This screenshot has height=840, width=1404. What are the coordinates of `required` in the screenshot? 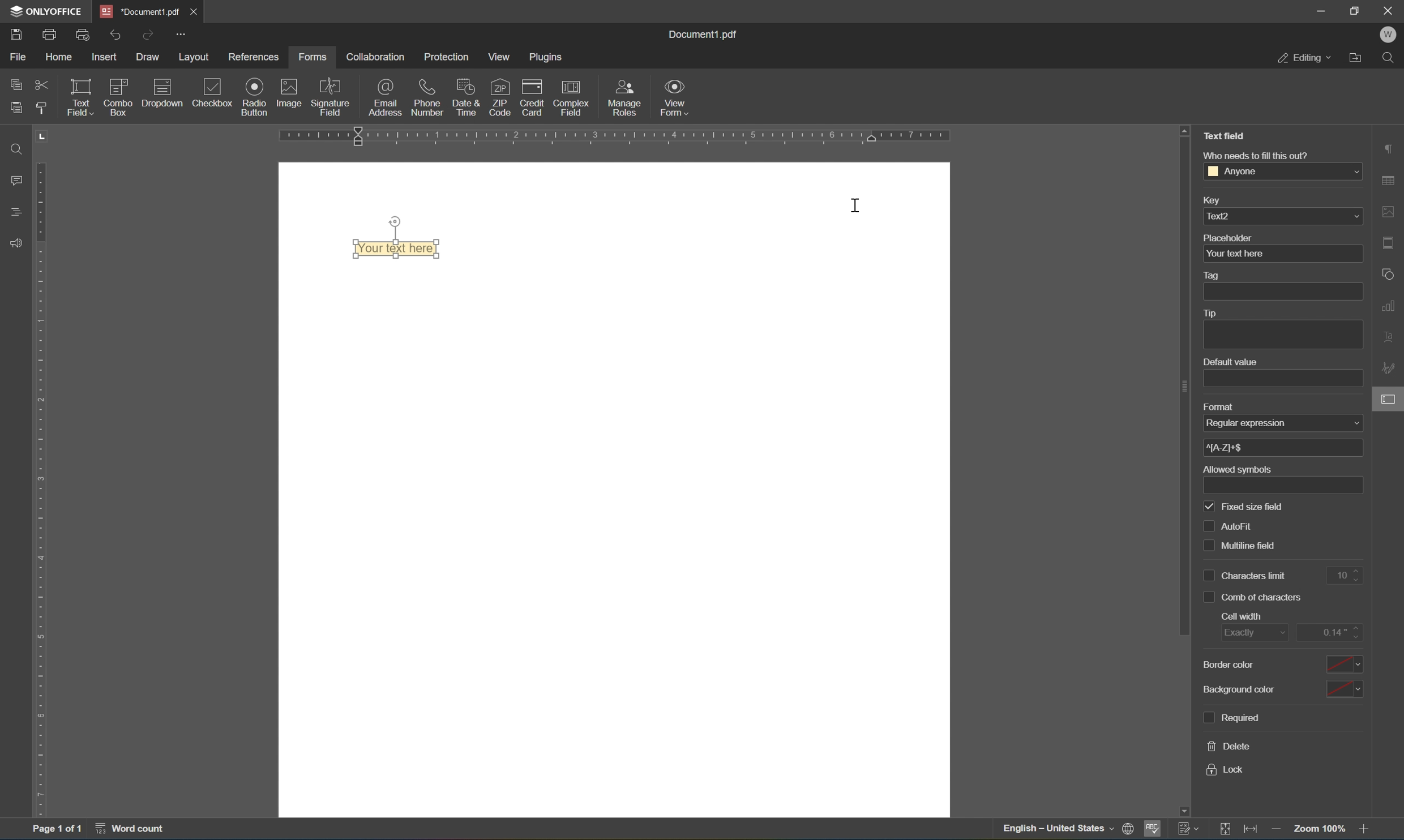 It's located at (1236, 719).